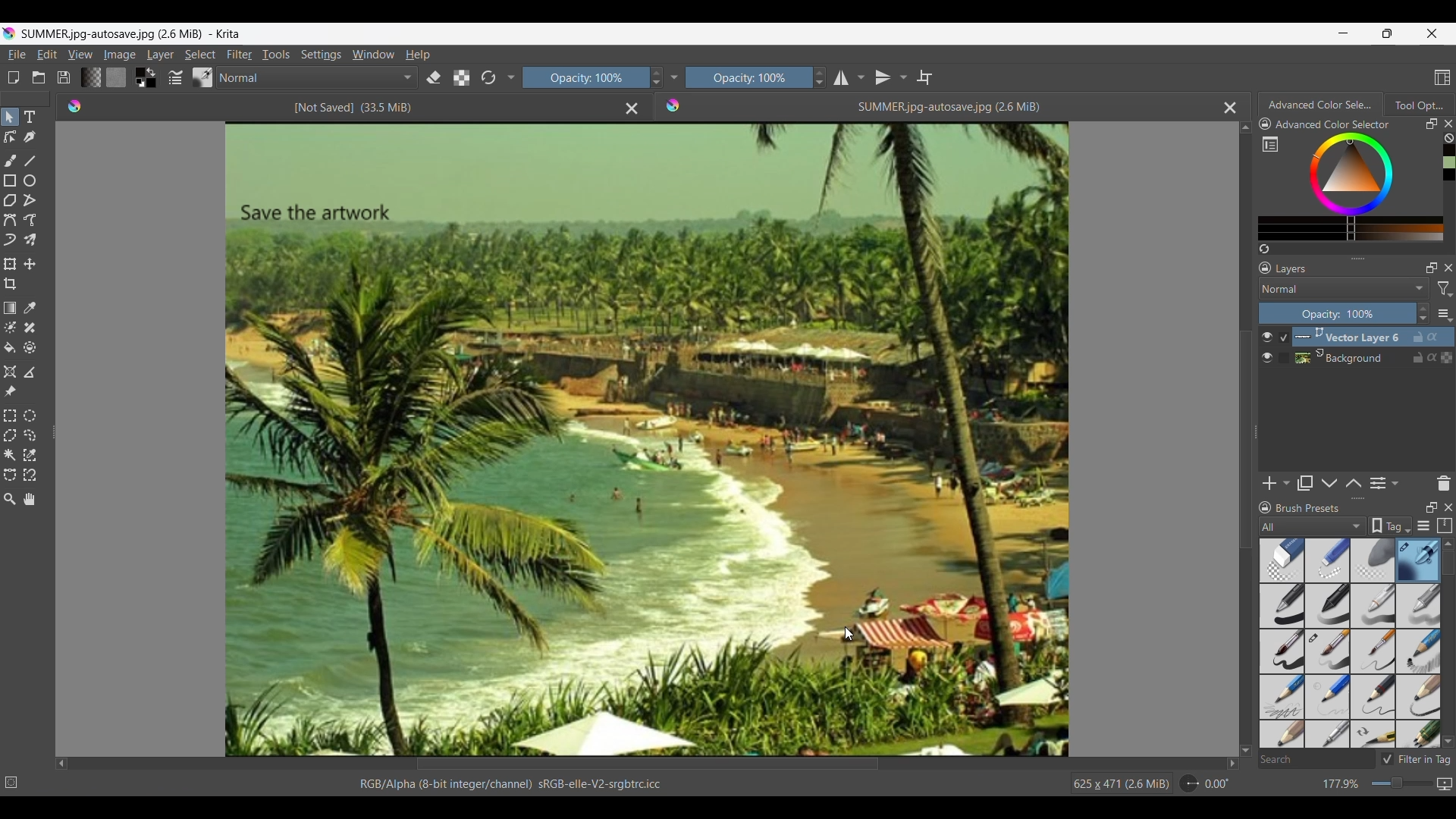  Describe the element at coordinates (30, 180) in the screenshot. I see `Ellipse tool` at that location.